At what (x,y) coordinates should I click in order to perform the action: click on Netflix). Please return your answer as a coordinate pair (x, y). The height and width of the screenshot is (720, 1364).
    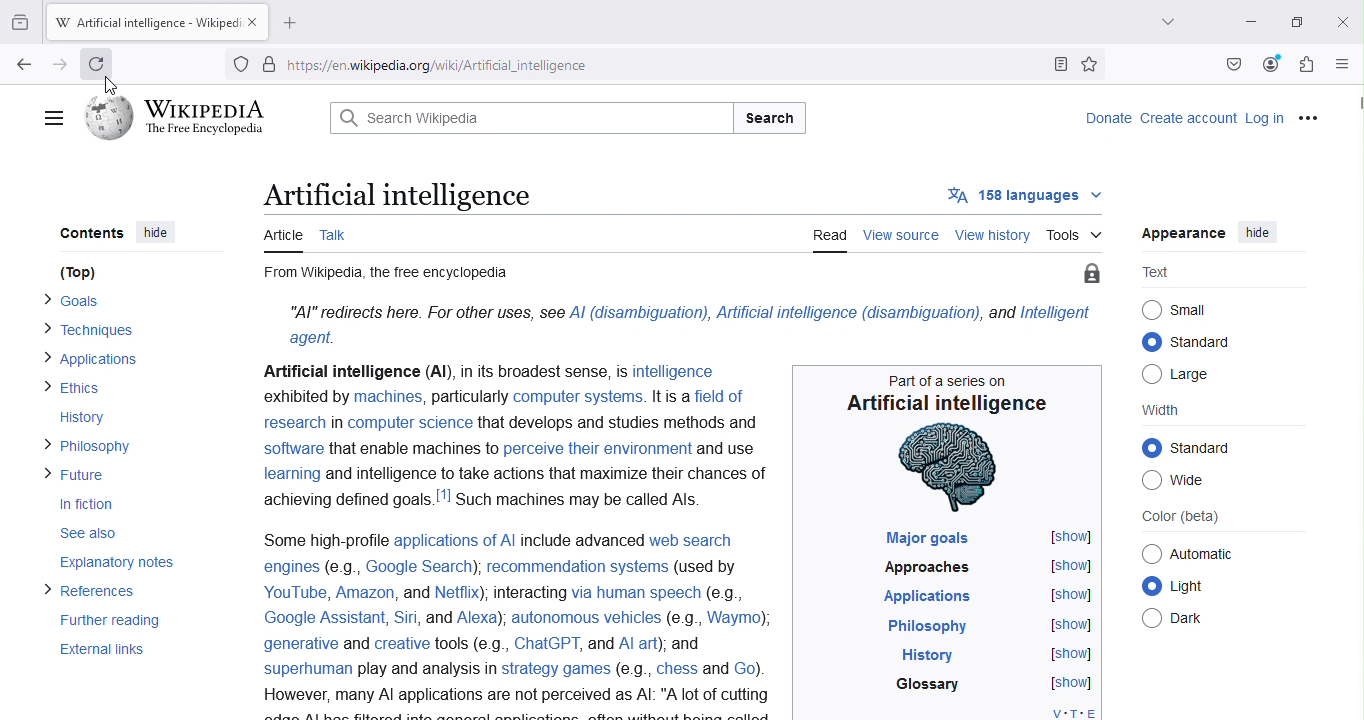
    Looking at the image, I should click on (460, 592).